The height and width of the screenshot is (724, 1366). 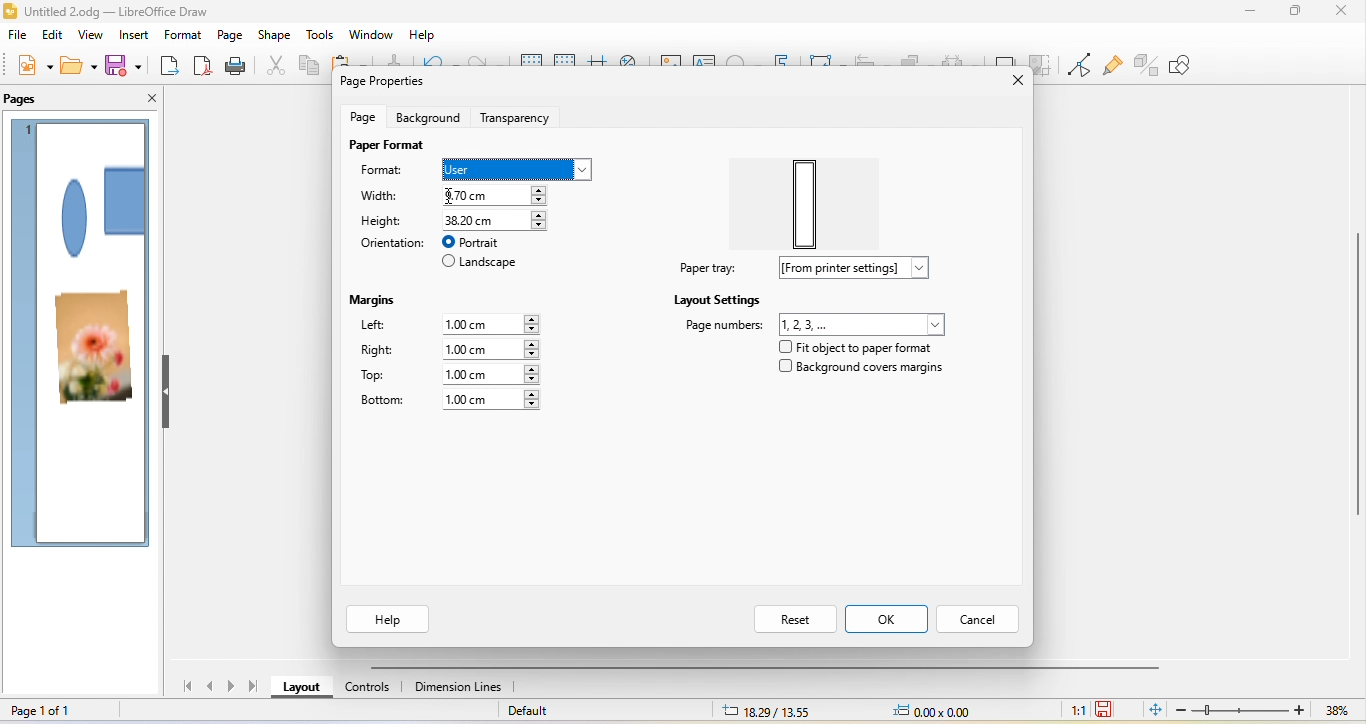 I want to click on close, so click(x=147, y=99).